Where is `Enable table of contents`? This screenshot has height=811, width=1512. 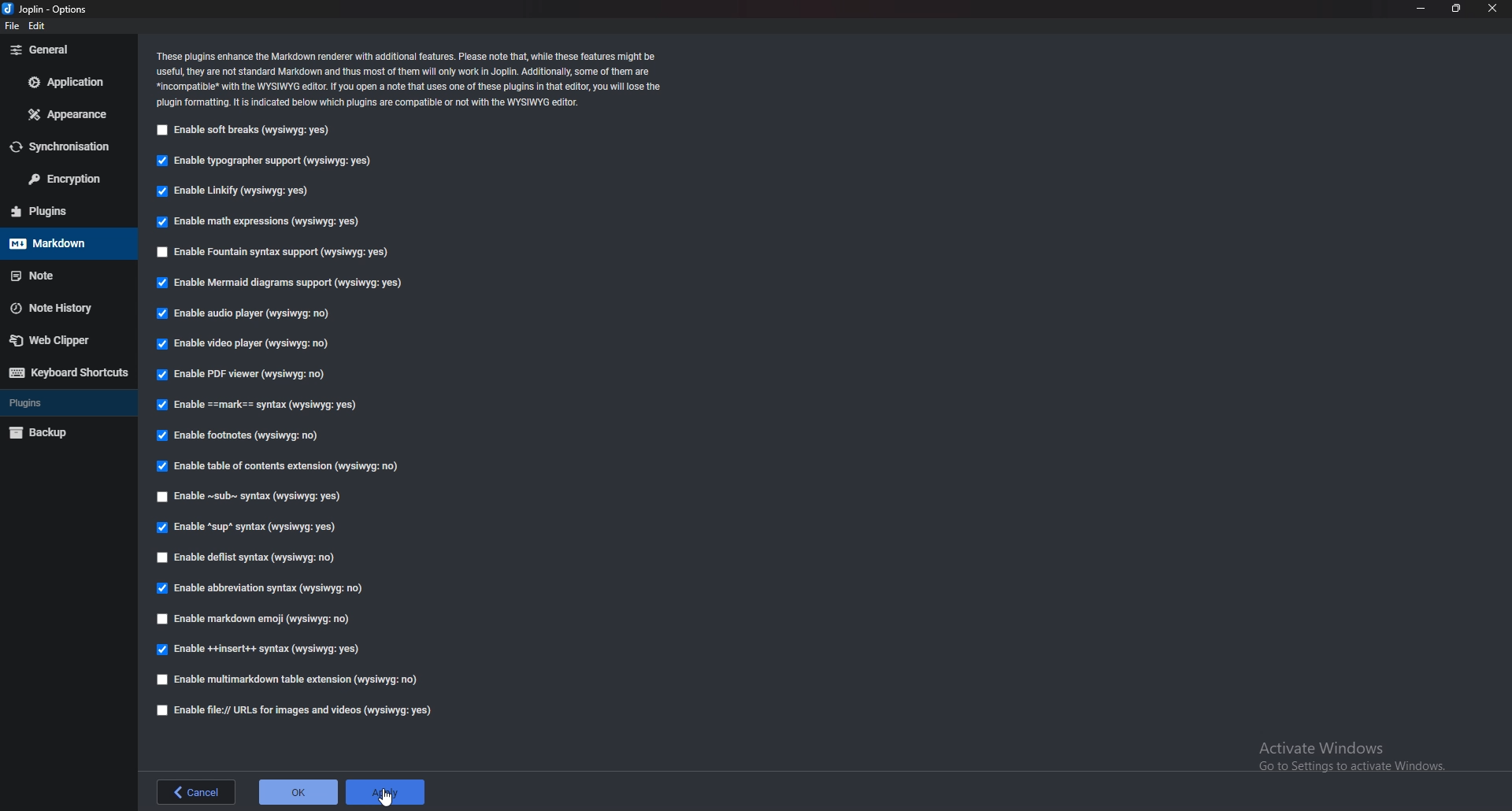 Enable table of contents is located at coordinates (283, 464).